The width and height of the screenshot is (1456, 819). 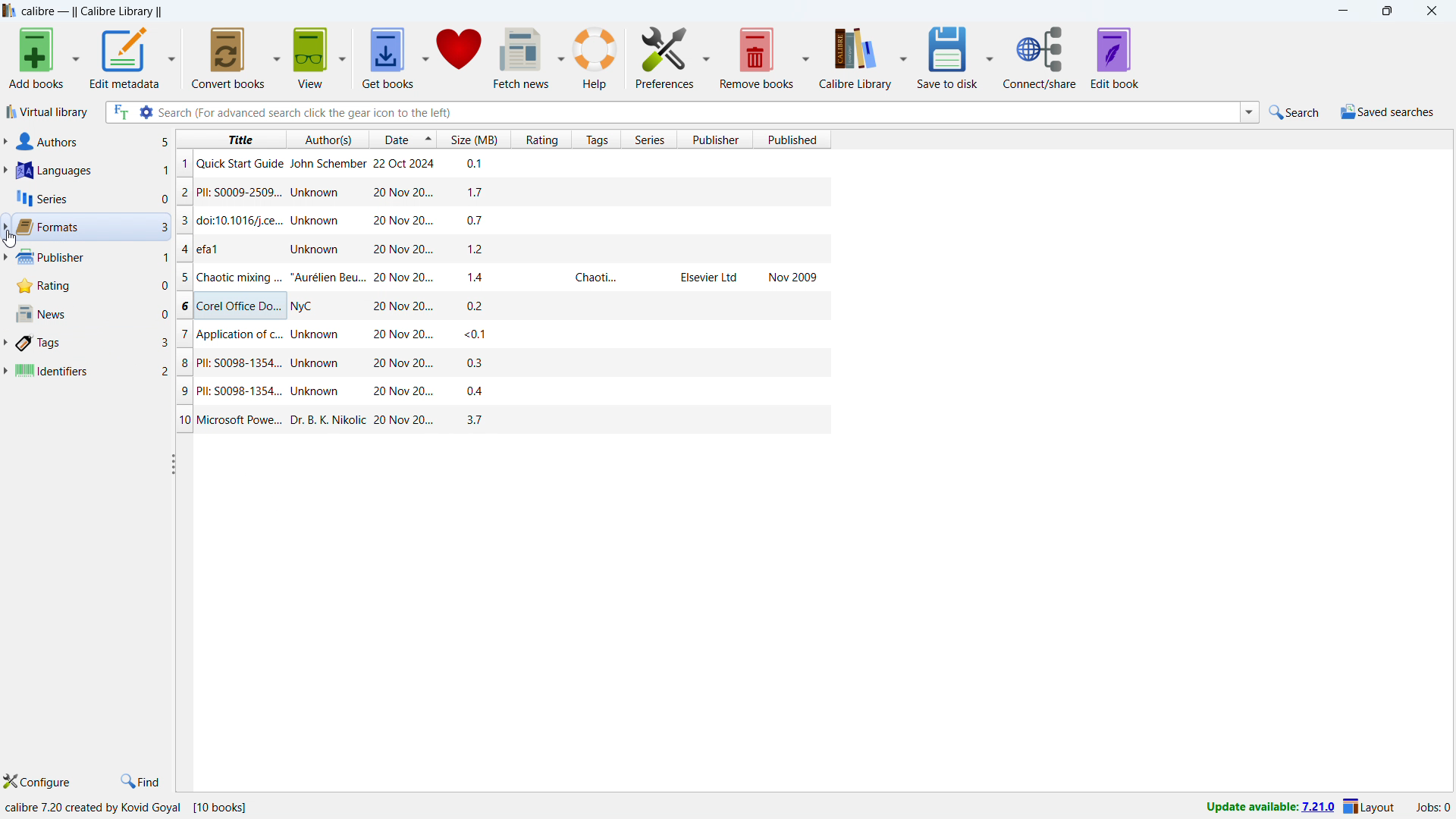 I want to click on sort by date, so click(x=393, y=138).